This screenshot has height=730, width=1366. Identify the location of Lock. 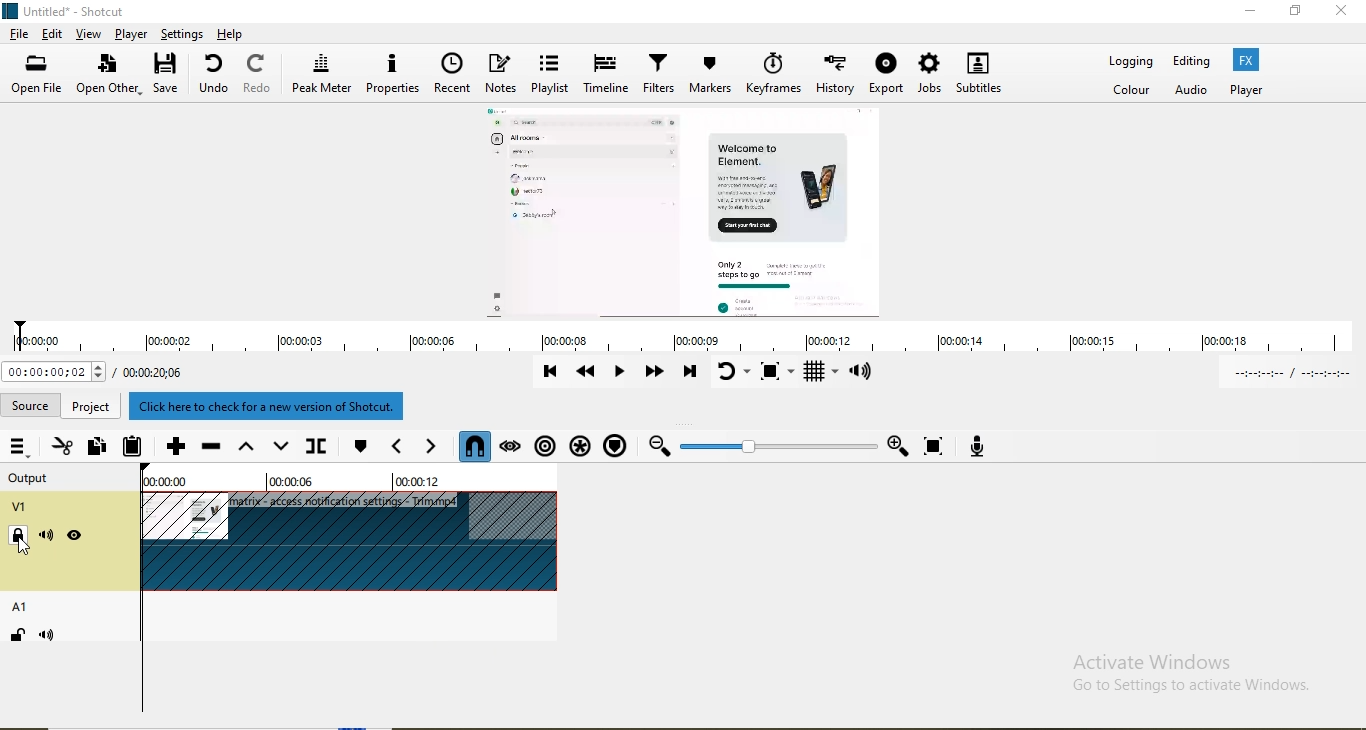
(18, 637).